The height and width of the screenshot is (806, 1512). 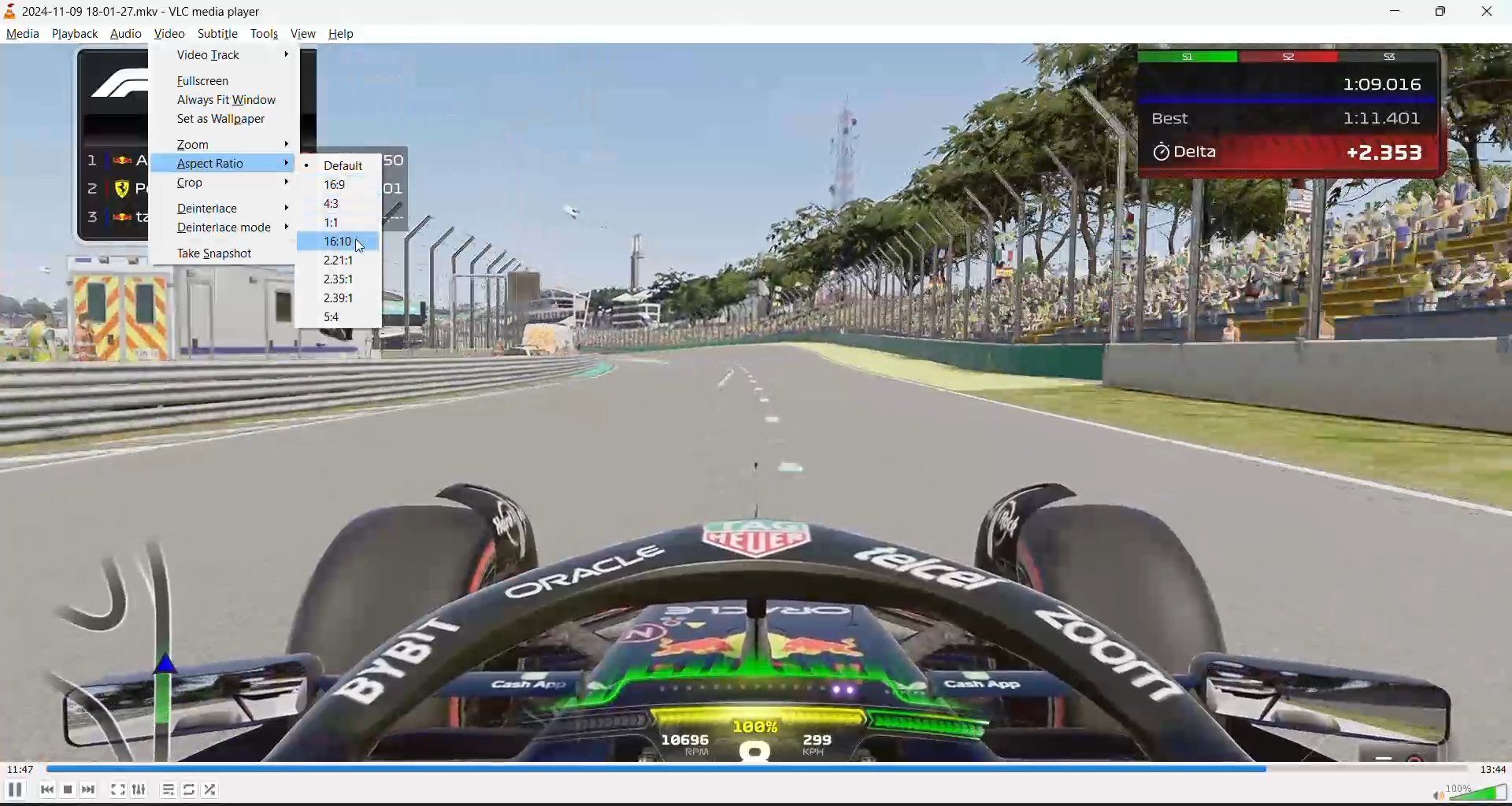 What do you see at coordinates (343, 258) in the screenshot?
I see `2.21:1` at bounding box center [343, 258].